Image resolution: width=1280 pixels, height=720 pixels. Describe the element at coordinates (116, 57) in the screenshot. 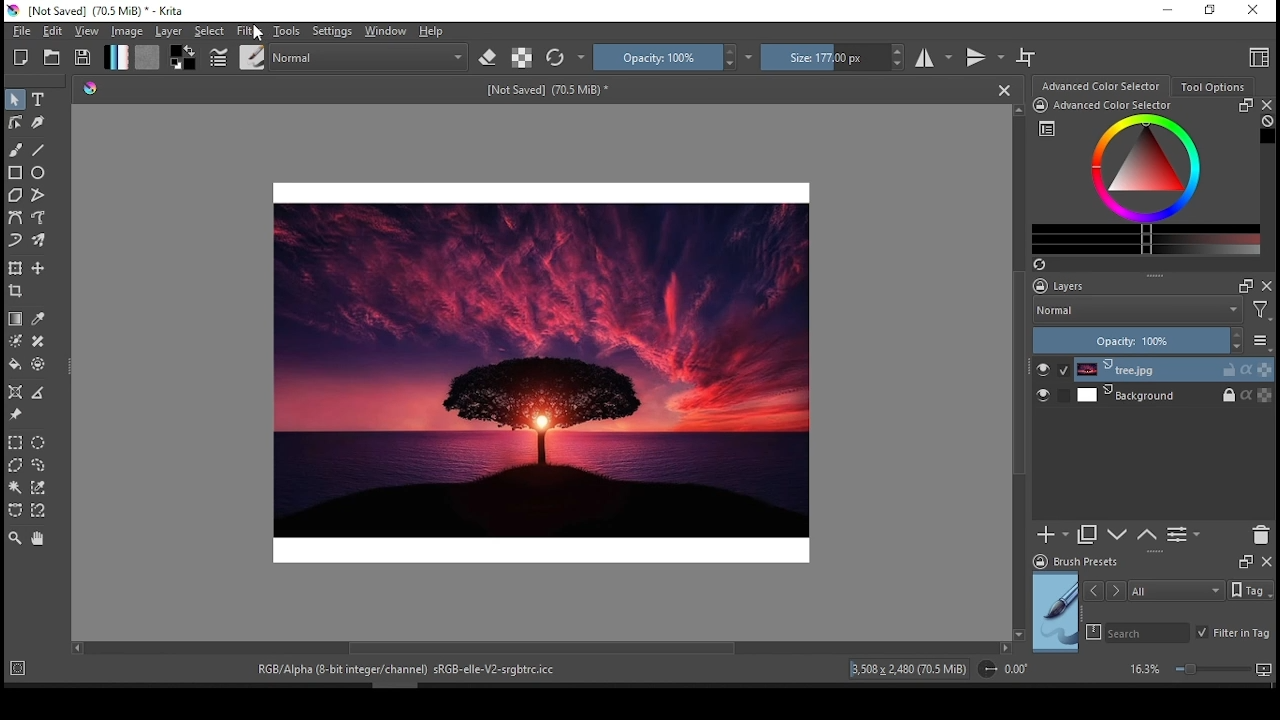

I see `fill gradient tool` at that location.